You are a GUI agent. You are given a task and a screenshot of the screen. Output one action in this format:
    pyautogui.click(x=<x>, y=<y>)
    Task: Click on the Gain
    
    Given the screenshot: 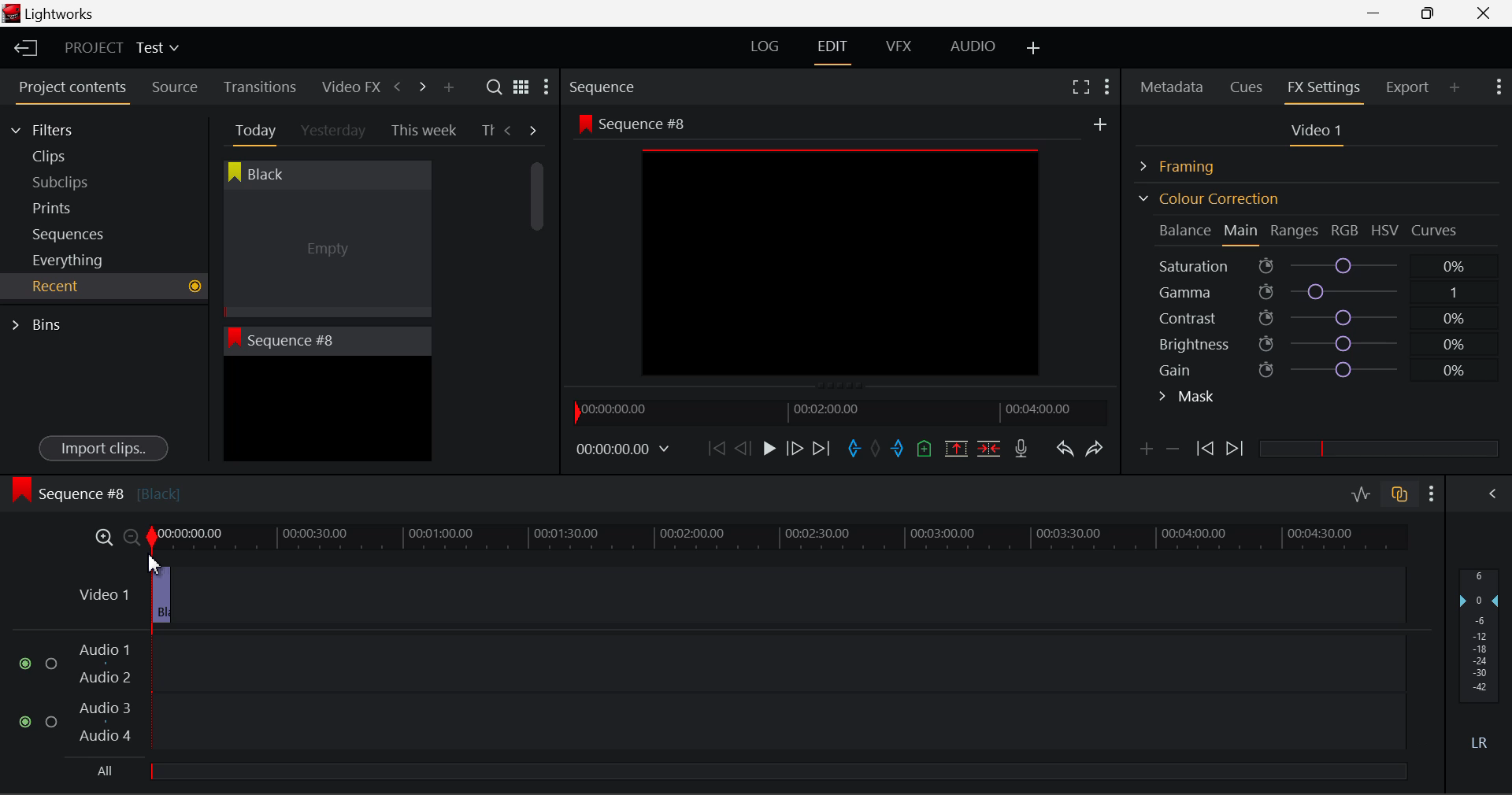 What is the action you would take?
    pyautogui.click(x=1332, y=367)
    